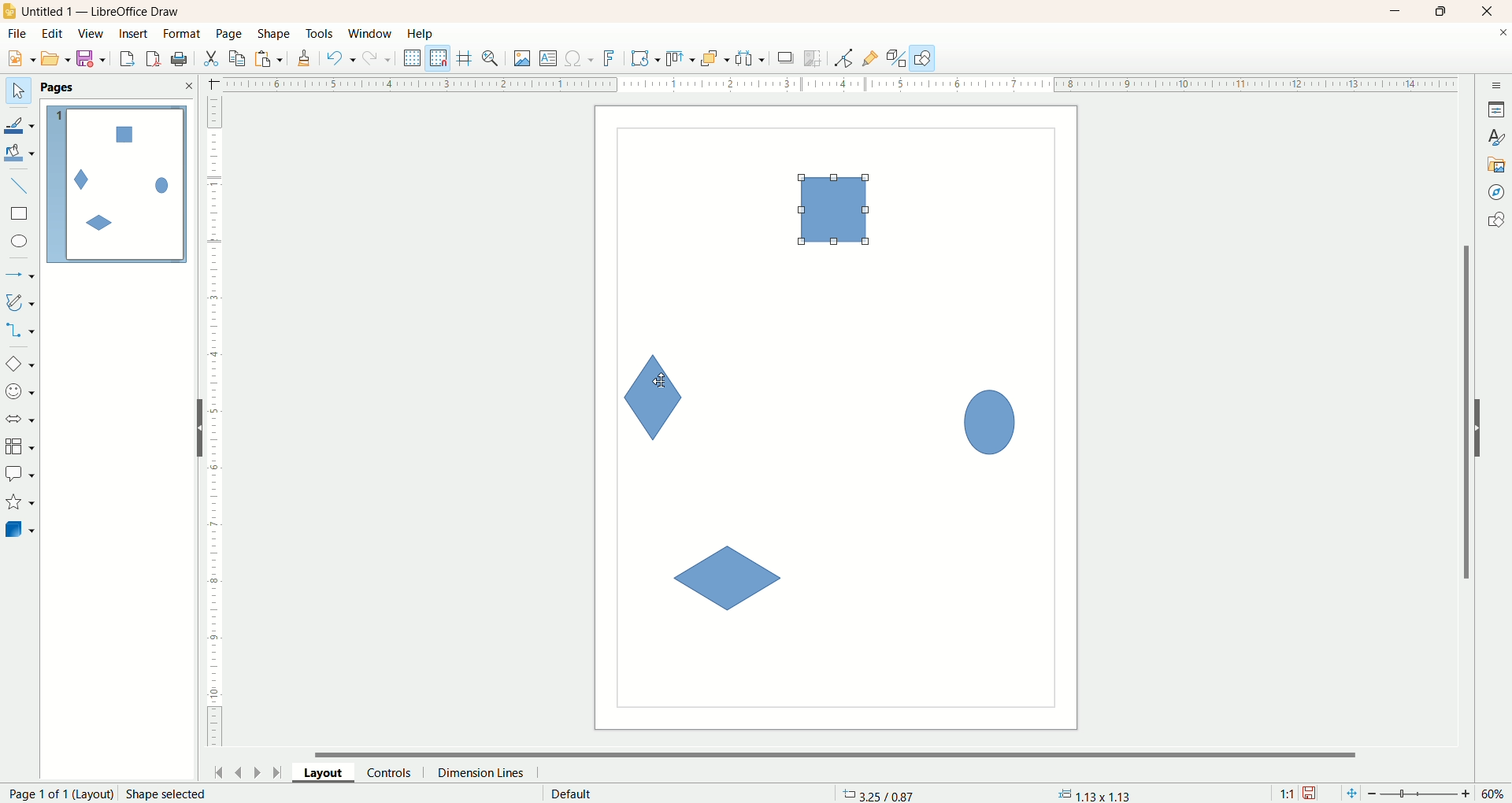  What do you see at coordinates (57, 87) in the screenshot?
I see `pages` at bounding box center [57, 87].